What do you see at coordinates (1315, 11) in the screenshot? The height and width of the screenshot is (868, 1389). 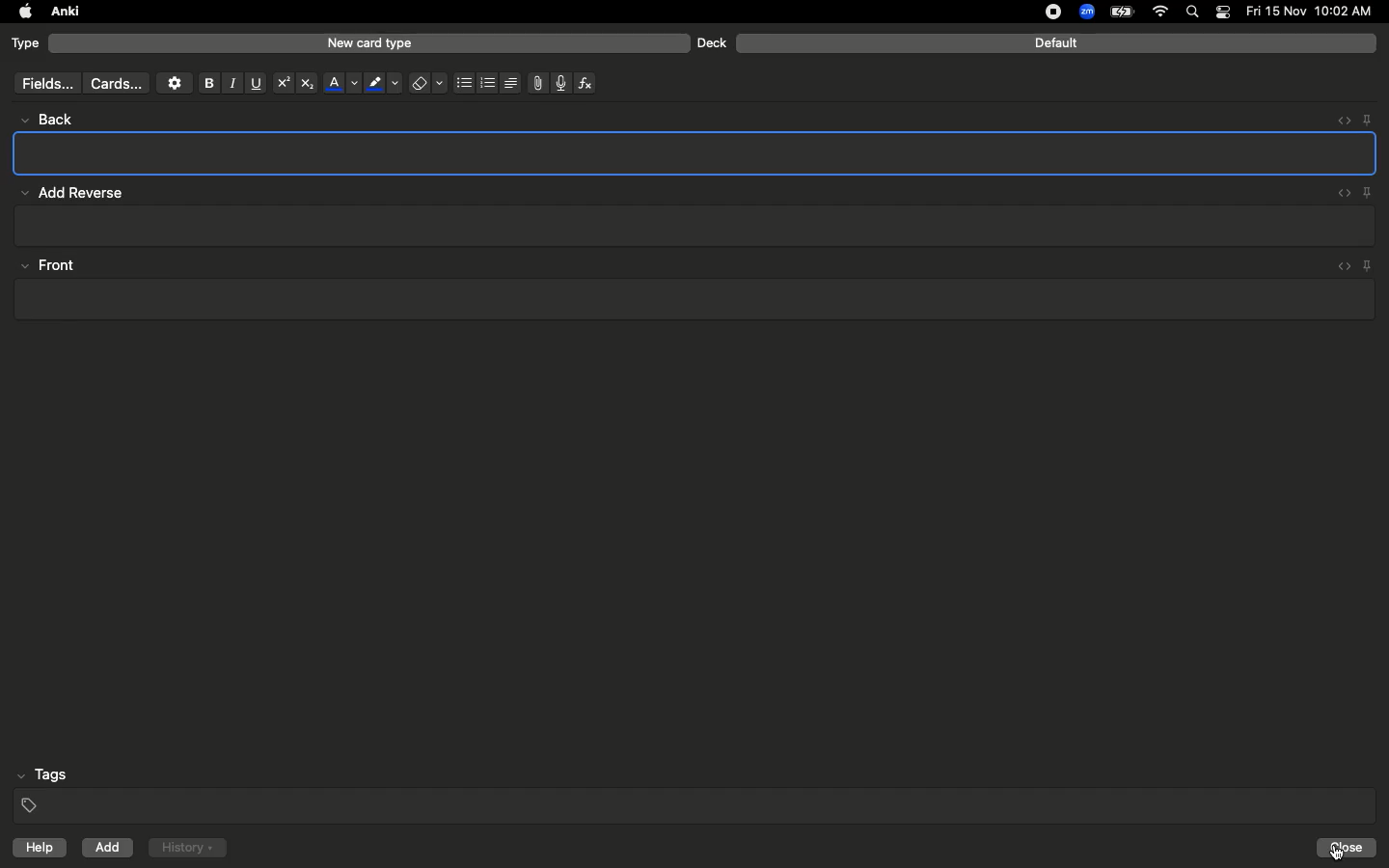 I see `date and time` at bounding box center [1315, 11].